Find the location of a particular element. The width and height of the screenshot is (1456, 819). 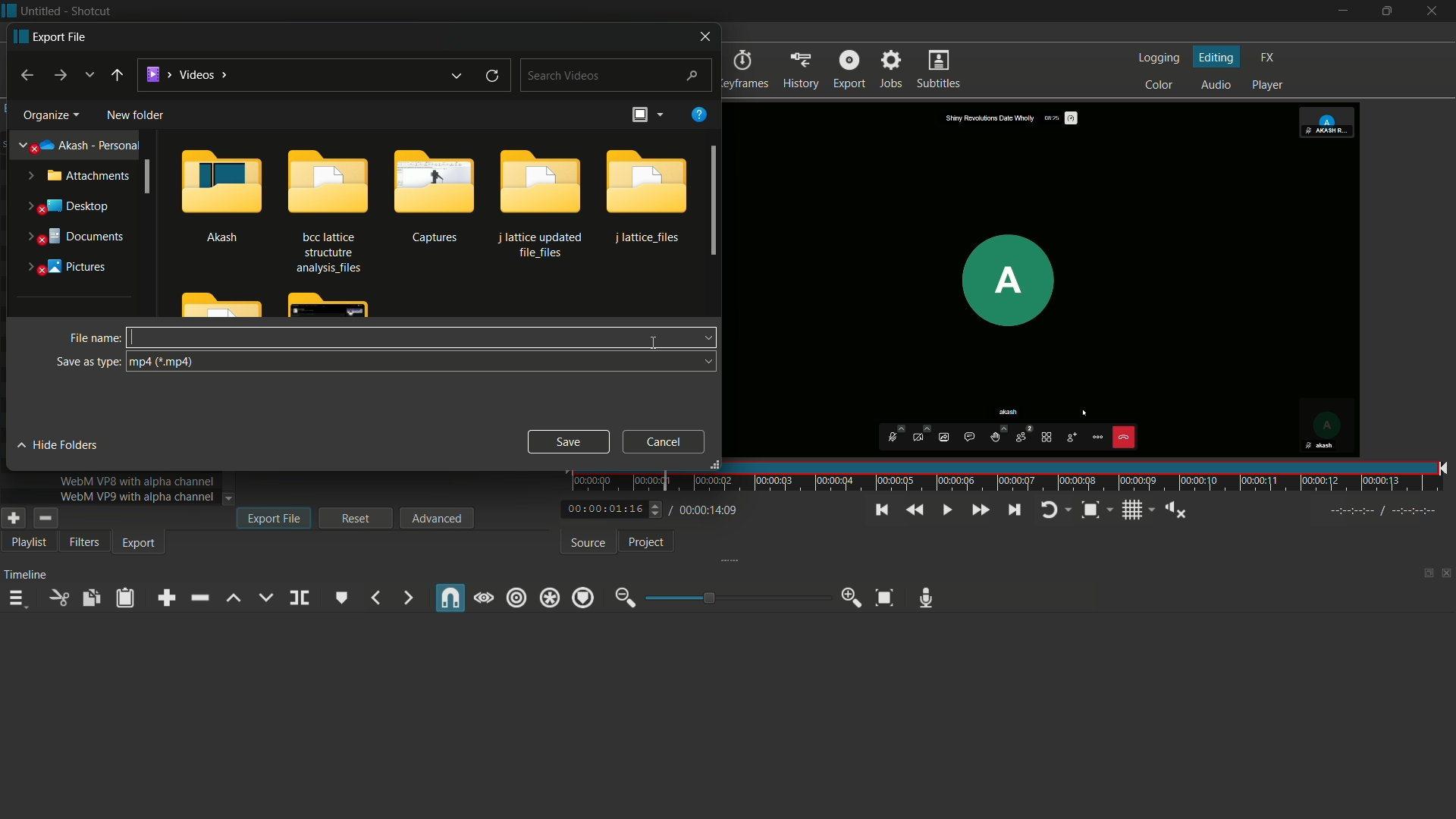

refresh is located at coordinates (493, 75).